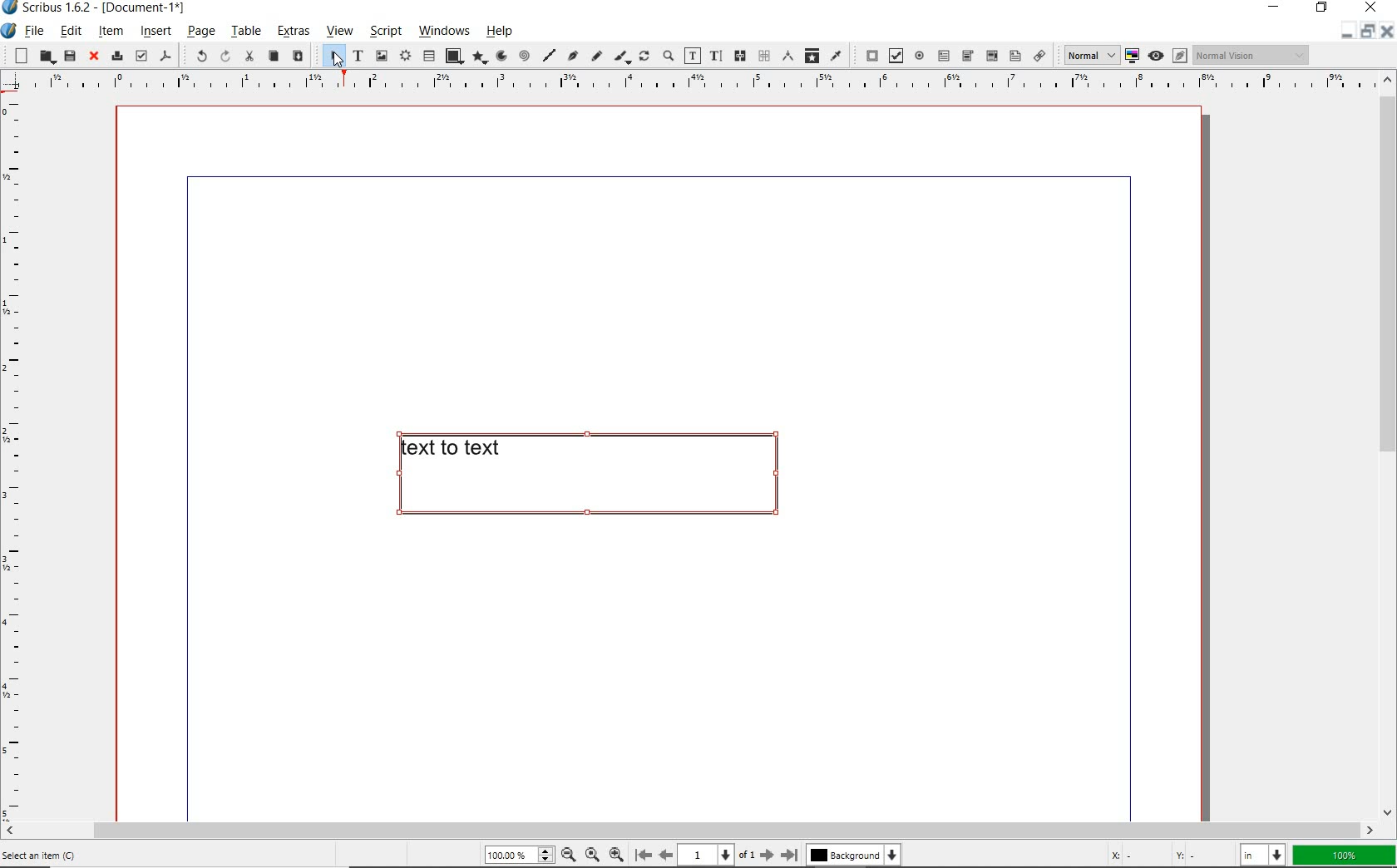 The height and width of the screenshot is (868, 1397). I want to click on text to text, so click(585, 474).